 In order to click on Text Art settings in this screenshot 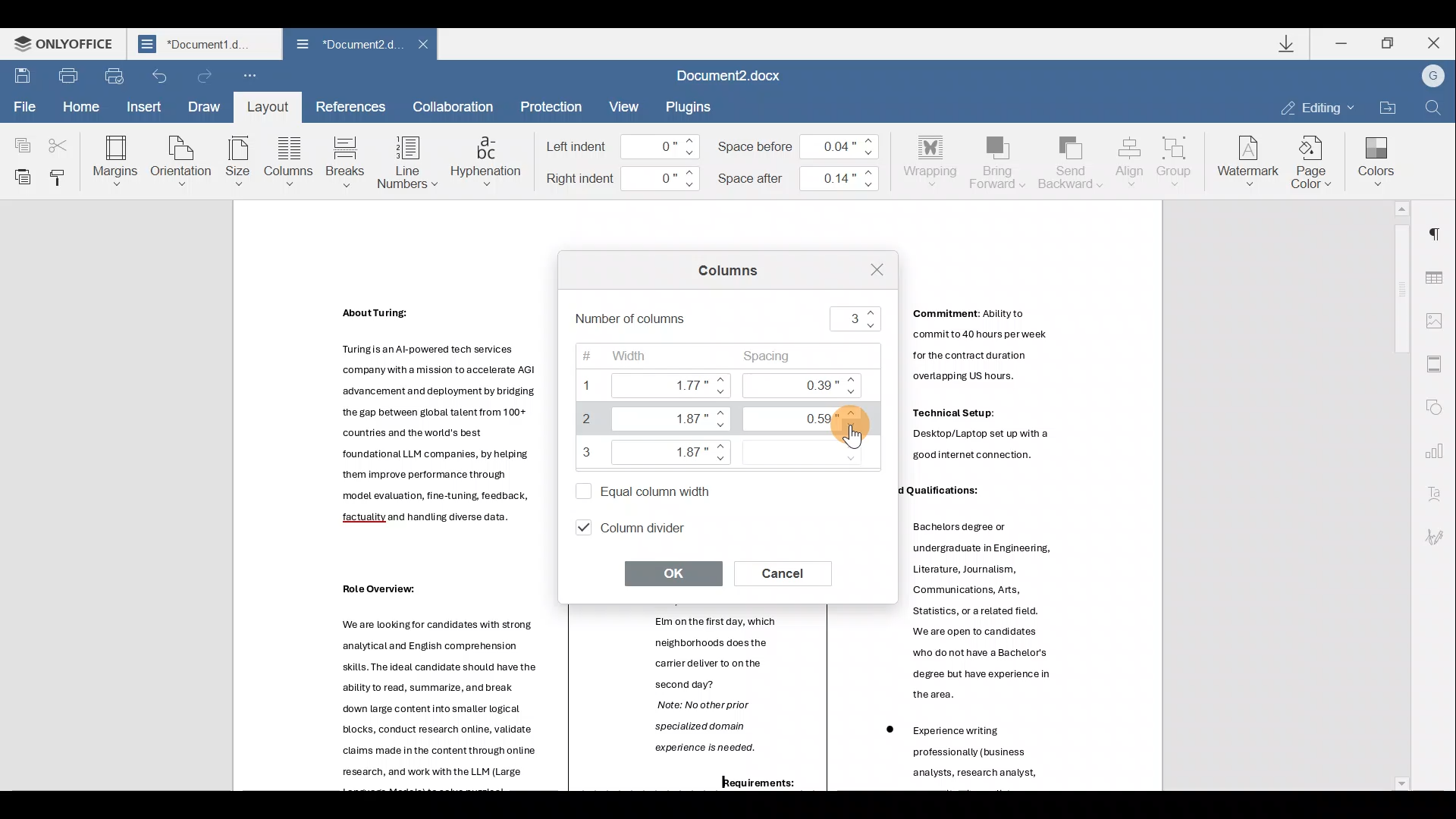, I will do `click(1437, 495)`.